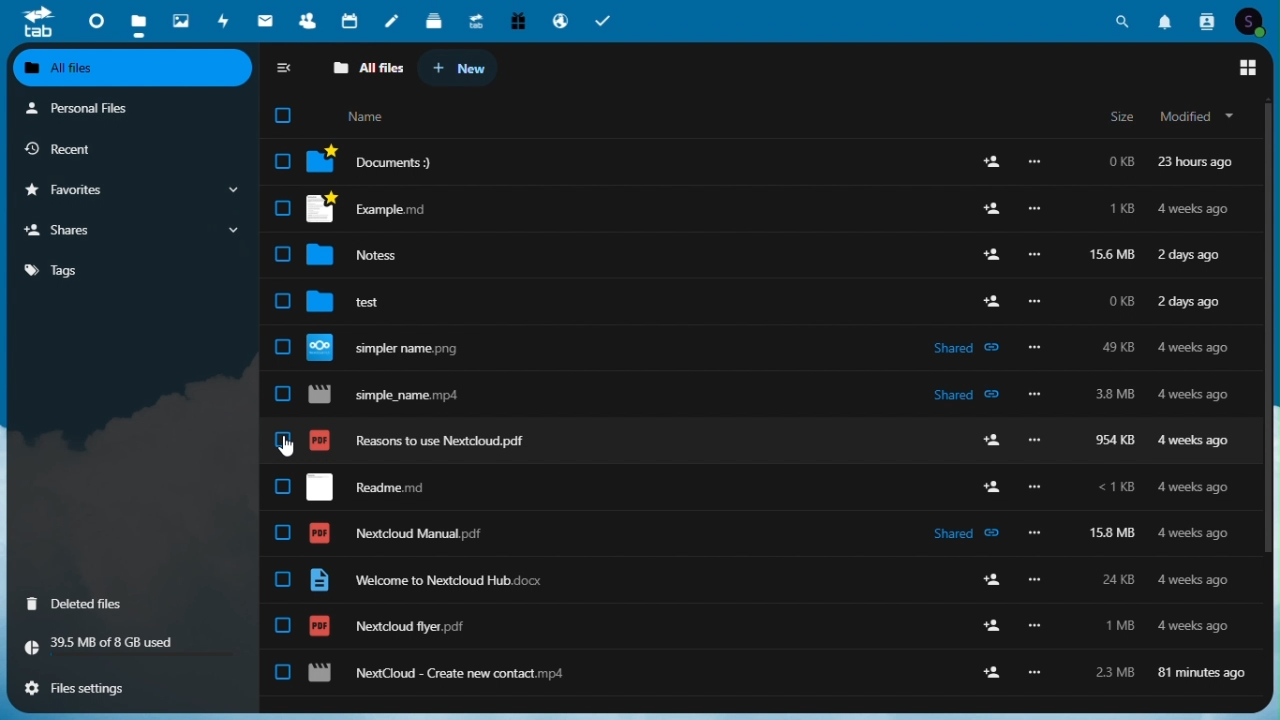 The width and height of the screenshot is (1280, 720). What do you see at coordinates (282, 394) in the screenshot?
I see `check box` at bounding box center [282, 394].